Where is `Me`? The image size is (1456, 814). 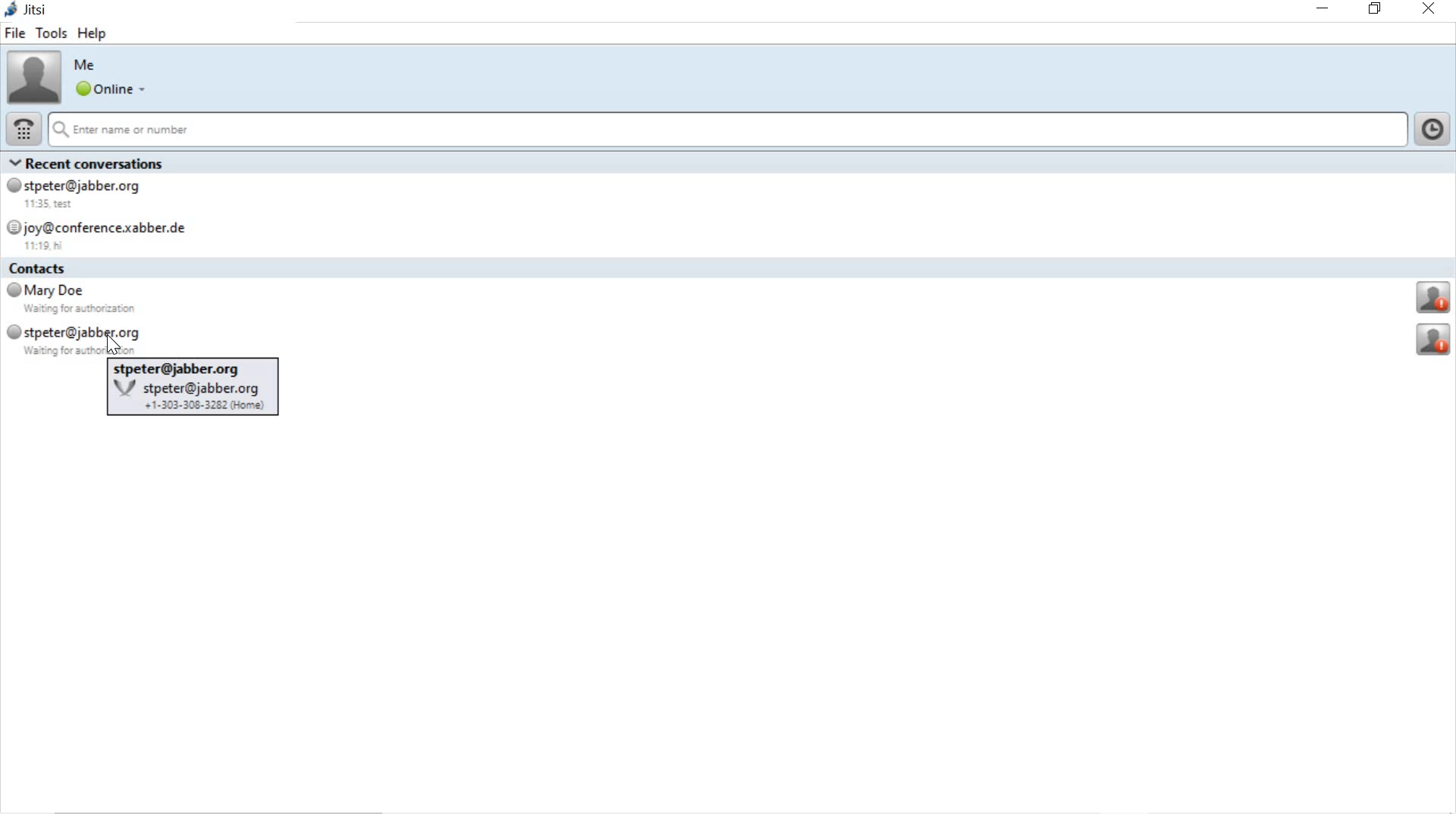
Me is located at coordinates (88, 65).